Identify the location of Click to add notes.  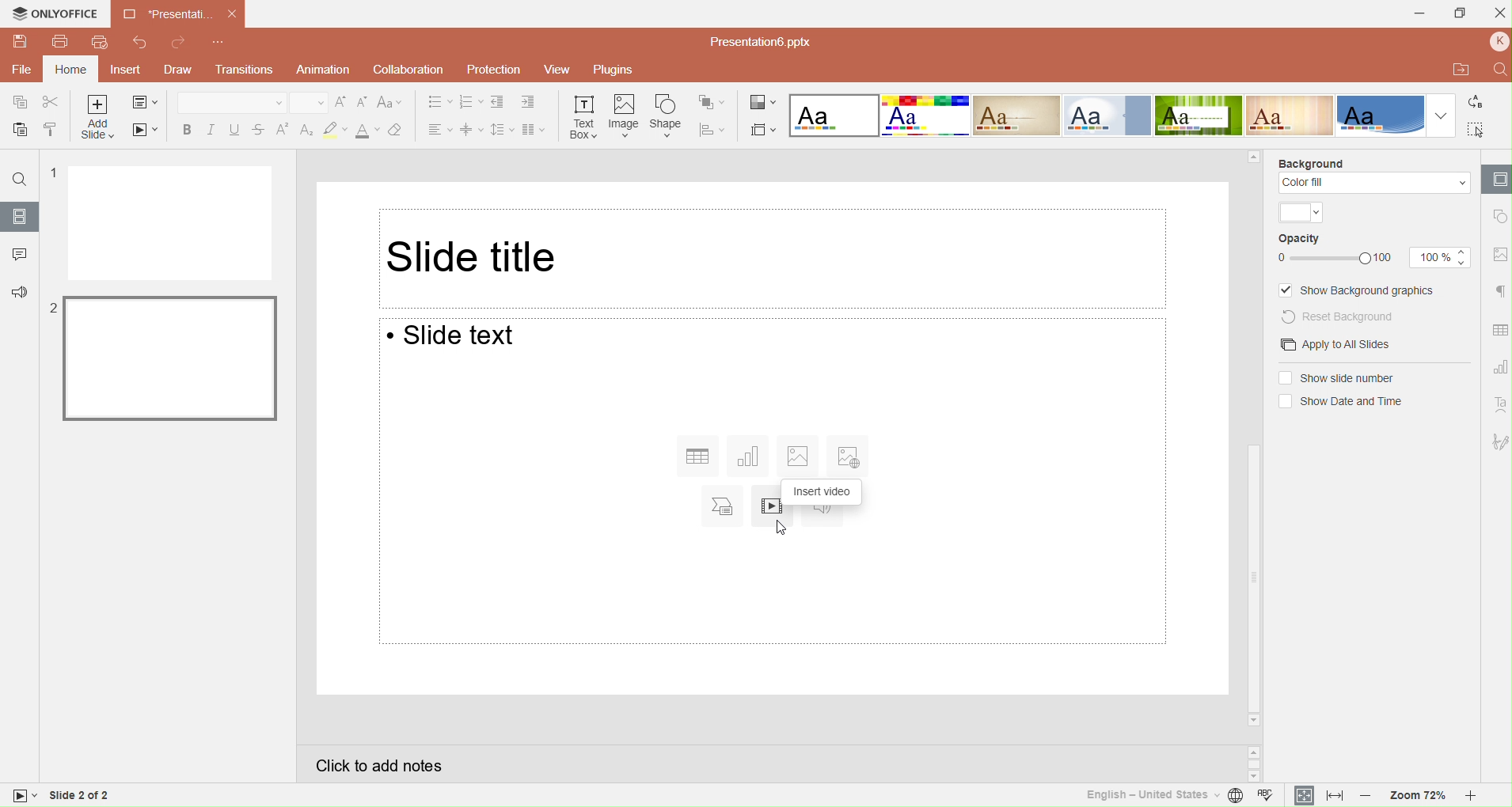
(764, 763).